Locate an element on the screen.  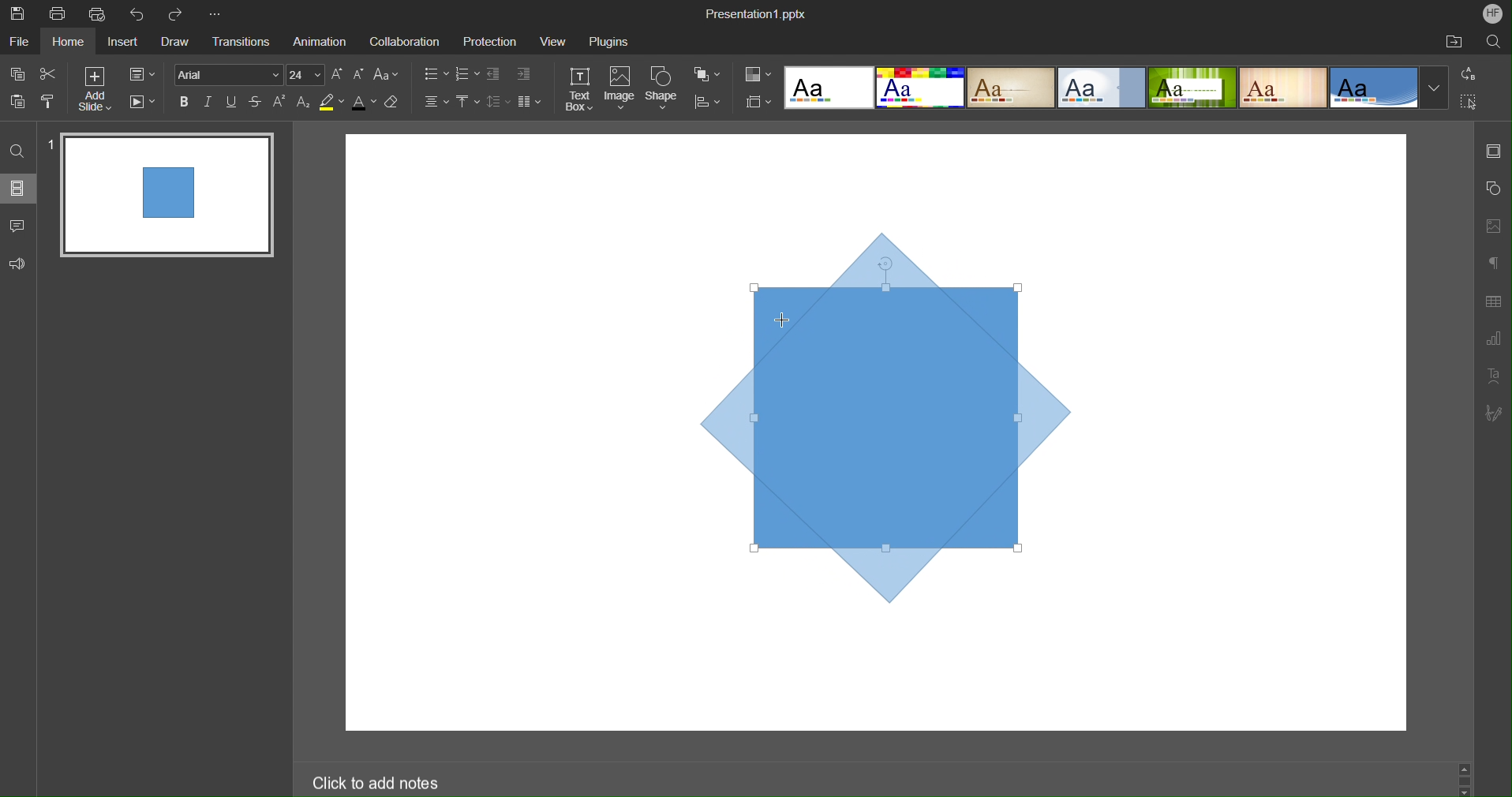
Bullet List is located at coordinates (432, 75).